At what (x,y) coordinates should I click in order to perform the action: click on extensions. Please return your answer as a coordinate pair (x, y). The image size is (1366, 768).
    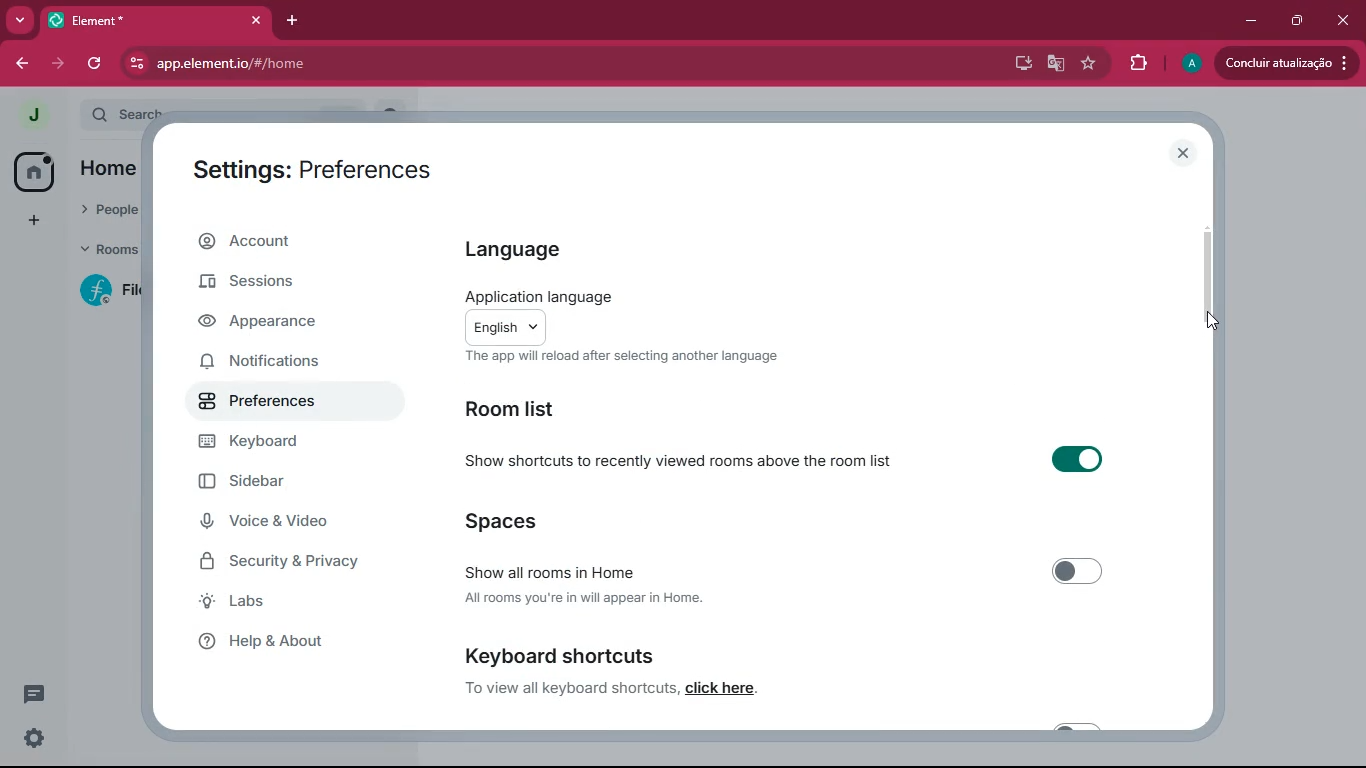
    Looking at the image, I should click on (1138, 63).